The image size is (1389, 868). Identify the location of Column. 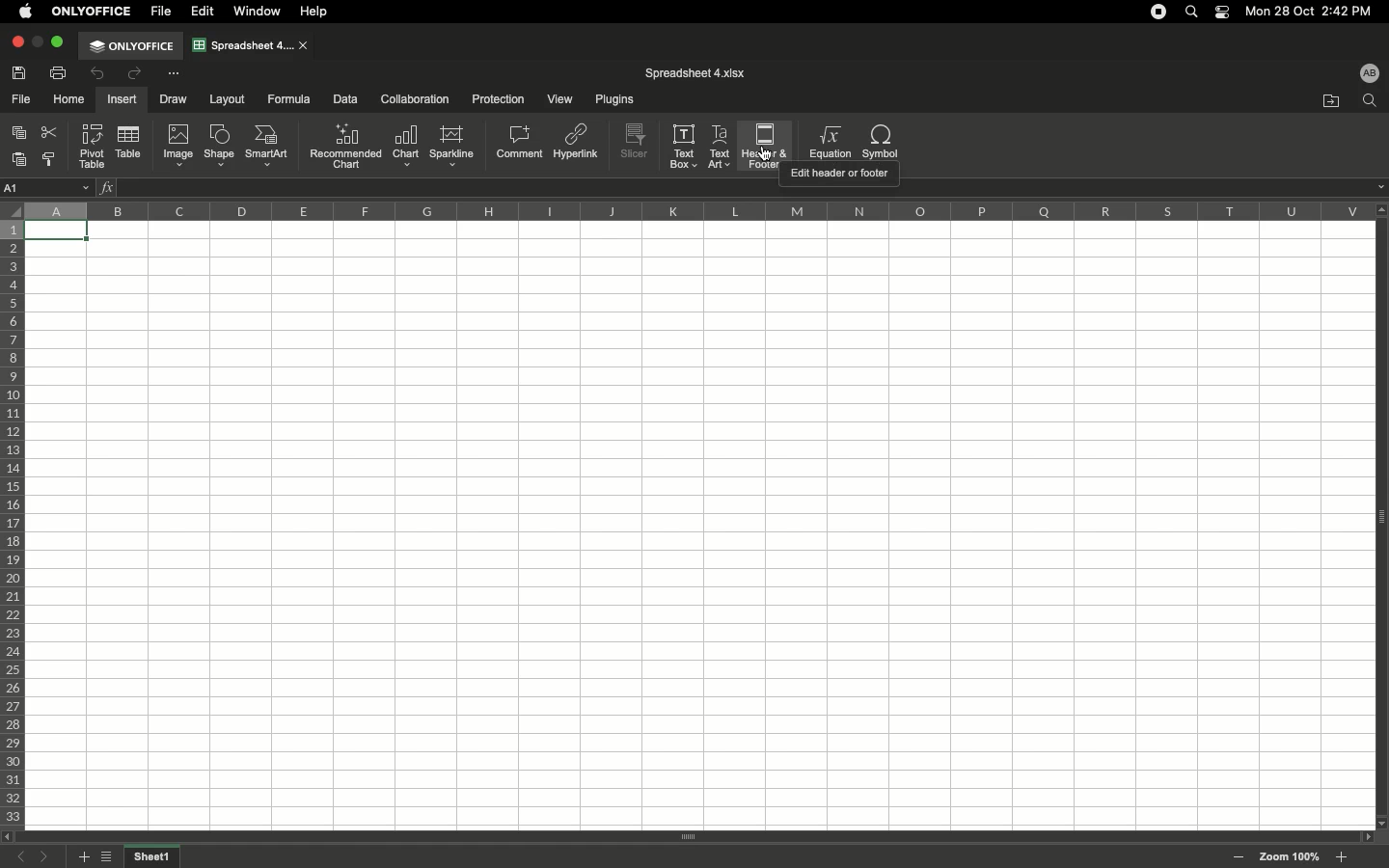
(694, 210).